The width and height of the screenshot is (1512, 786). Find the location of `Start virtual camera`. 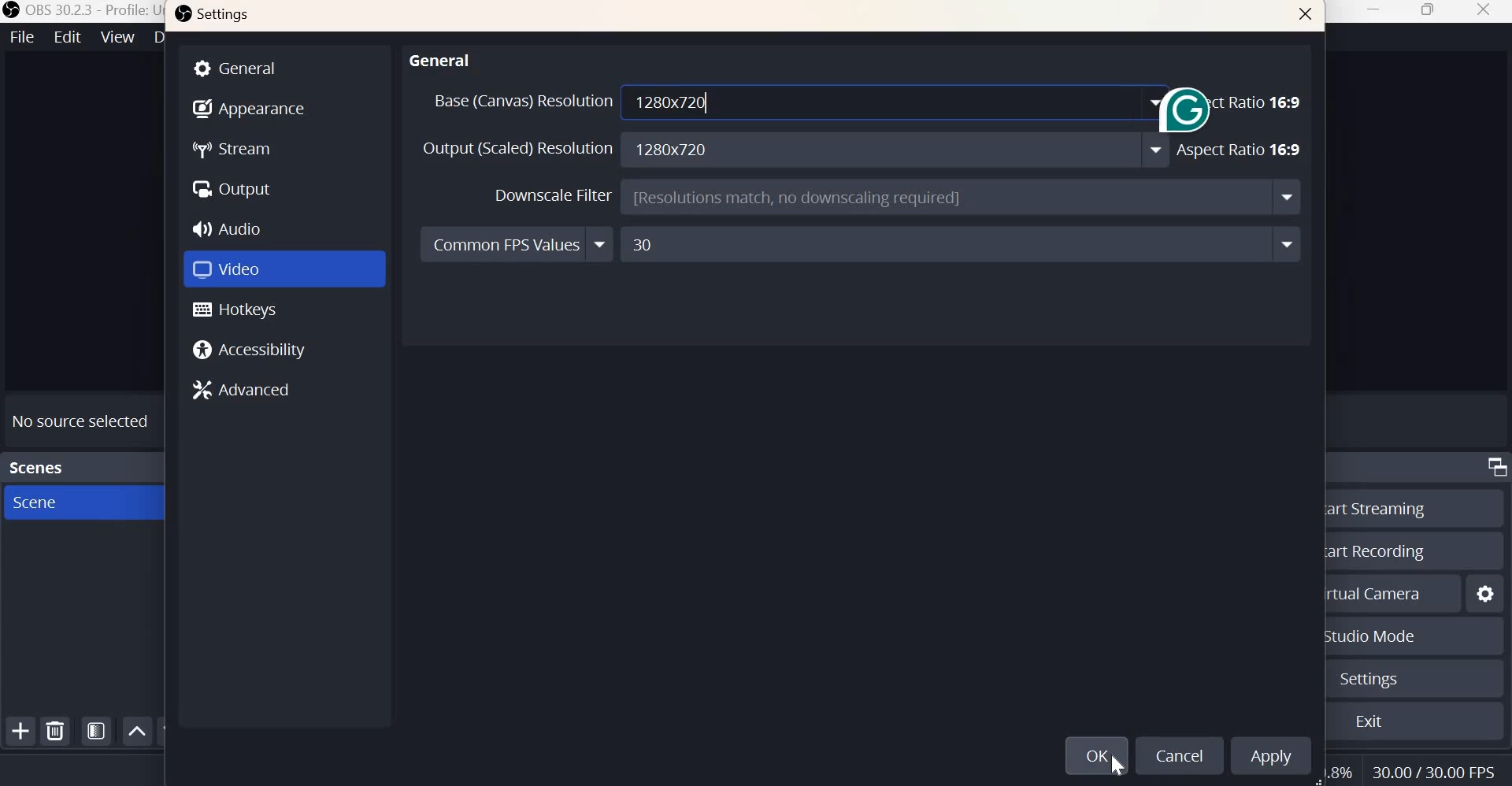

Start virtual camera is located at coordinates (1379, 591).